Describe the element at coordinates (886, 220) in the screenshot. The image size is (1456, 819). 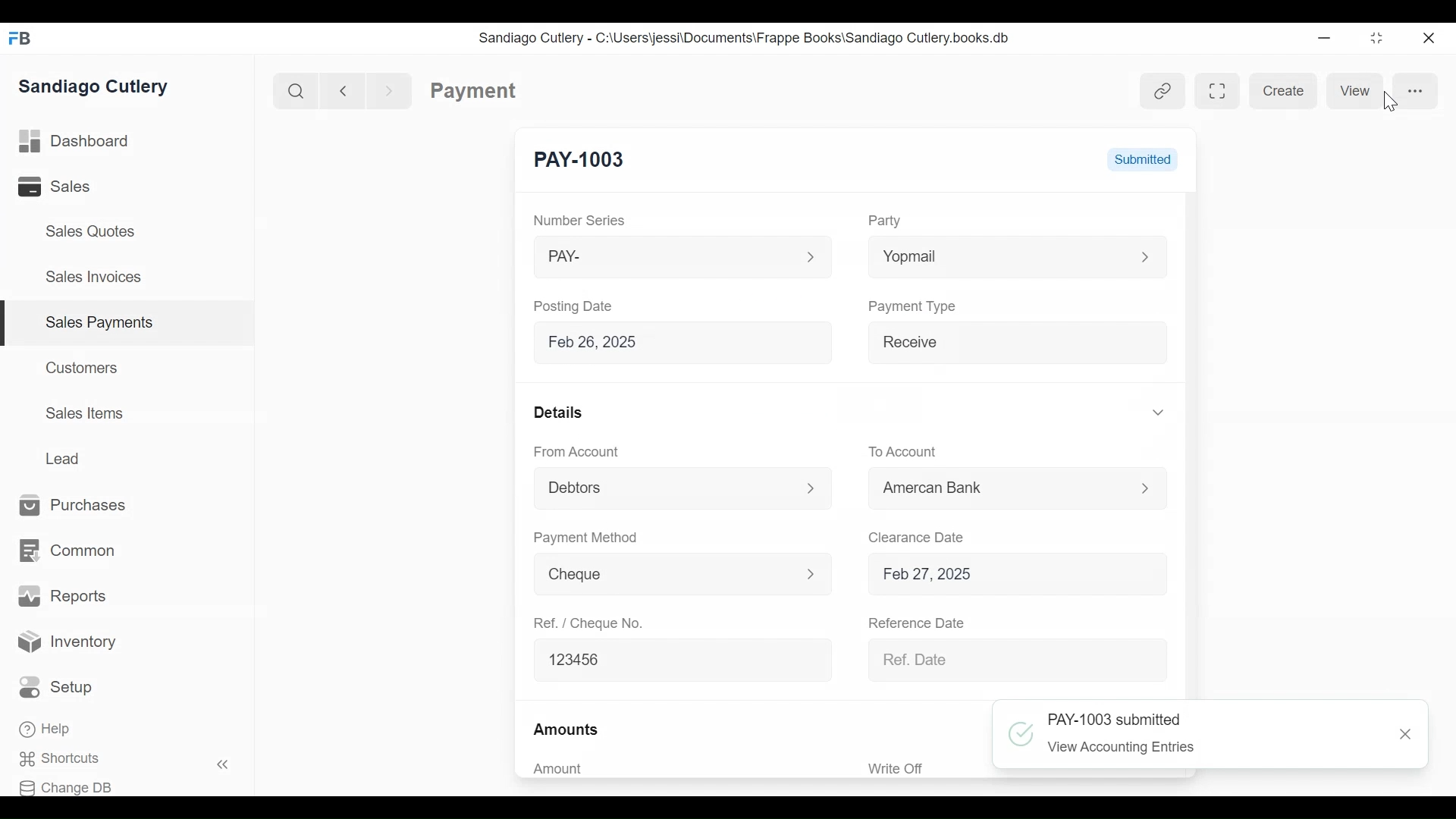
I see `Party` at that location.